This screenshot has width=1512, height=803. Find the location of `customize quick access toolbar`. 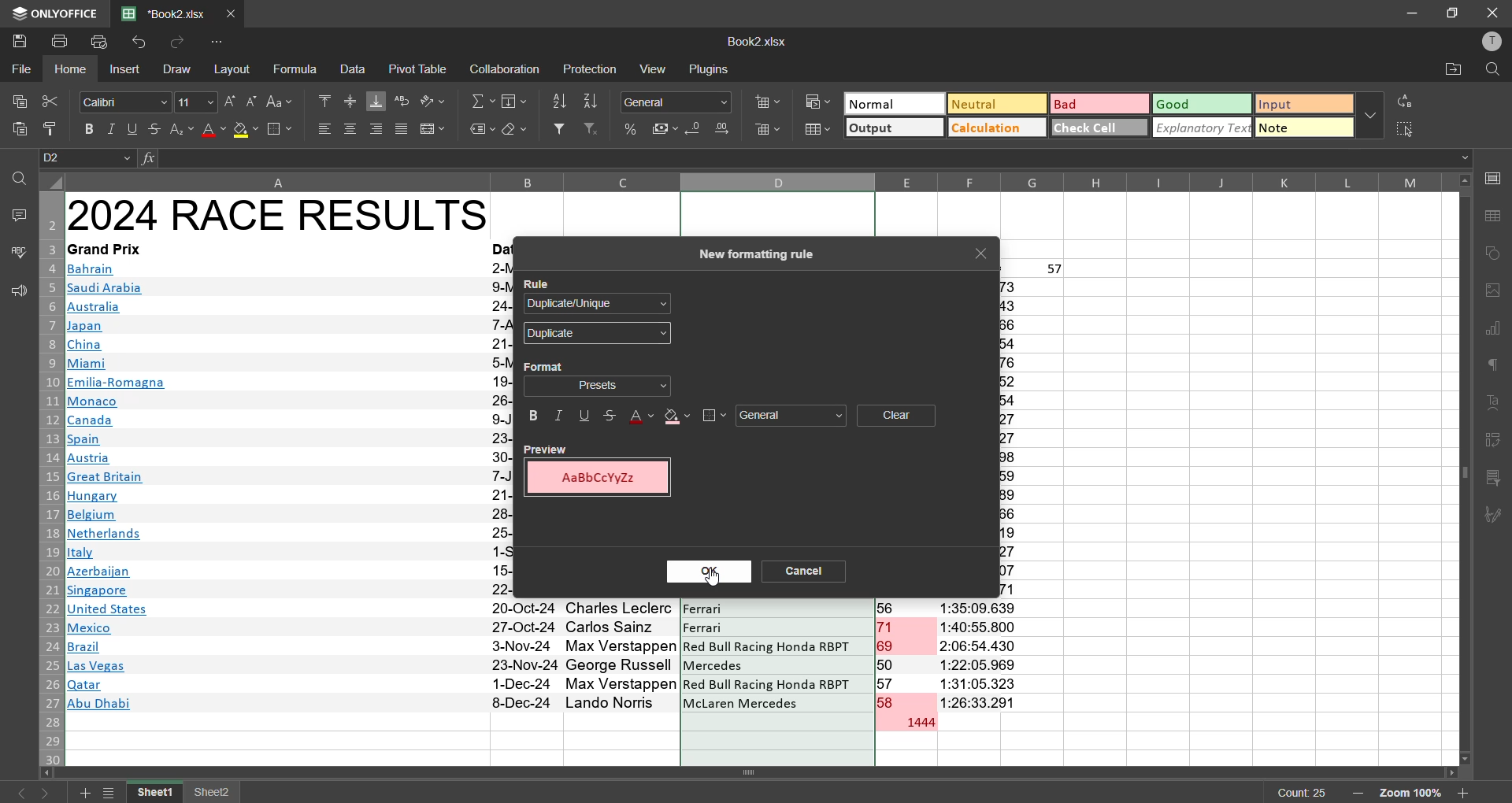

customize quick access toolbar is located at coordinates (220, 42).